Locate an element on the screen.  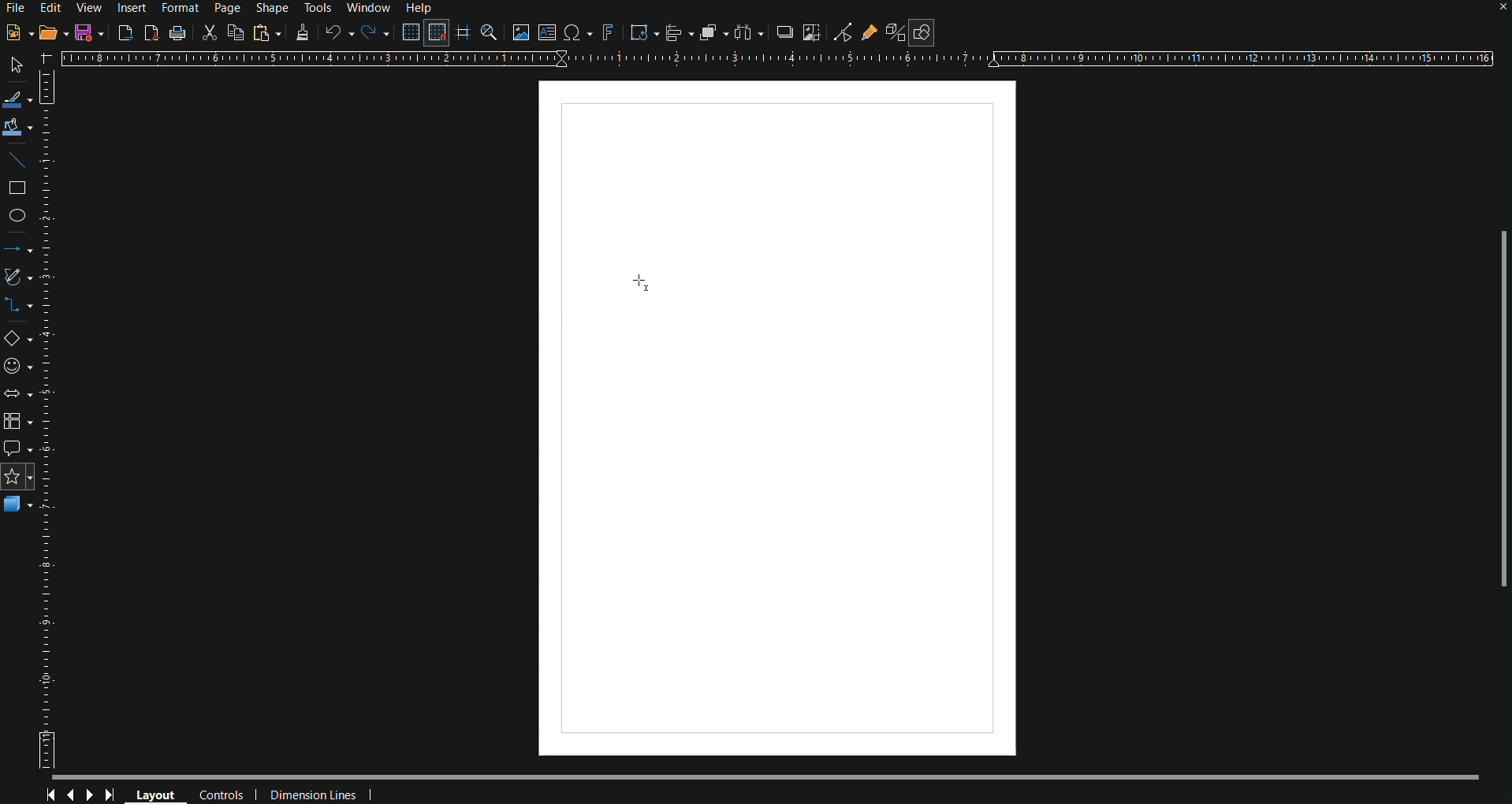
Box Arrows is located at coordinates (20, 395).